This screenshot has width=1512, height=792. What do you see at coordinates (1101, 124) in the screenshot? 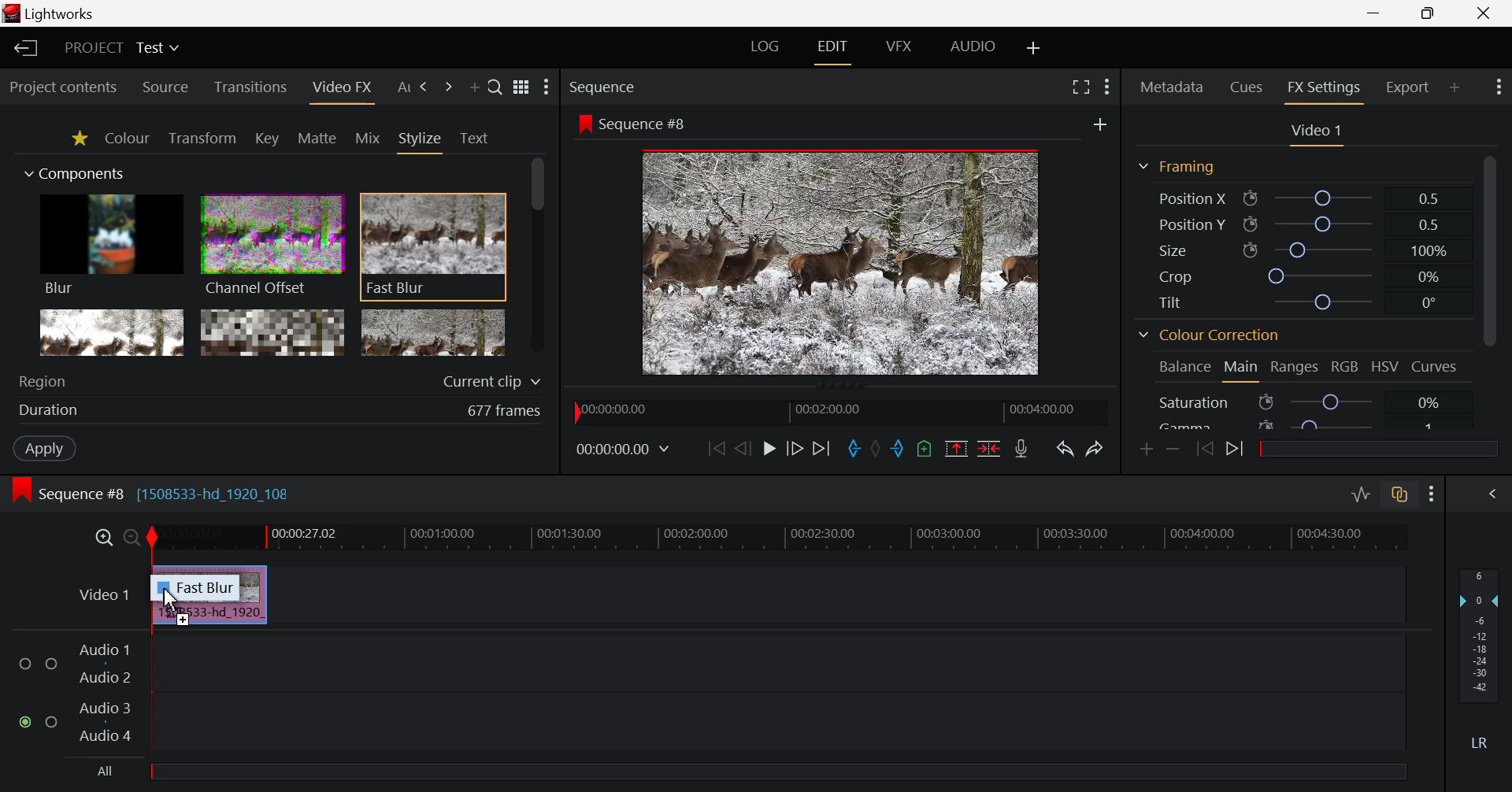
I see `Add` at bounding box center [1101, 124].